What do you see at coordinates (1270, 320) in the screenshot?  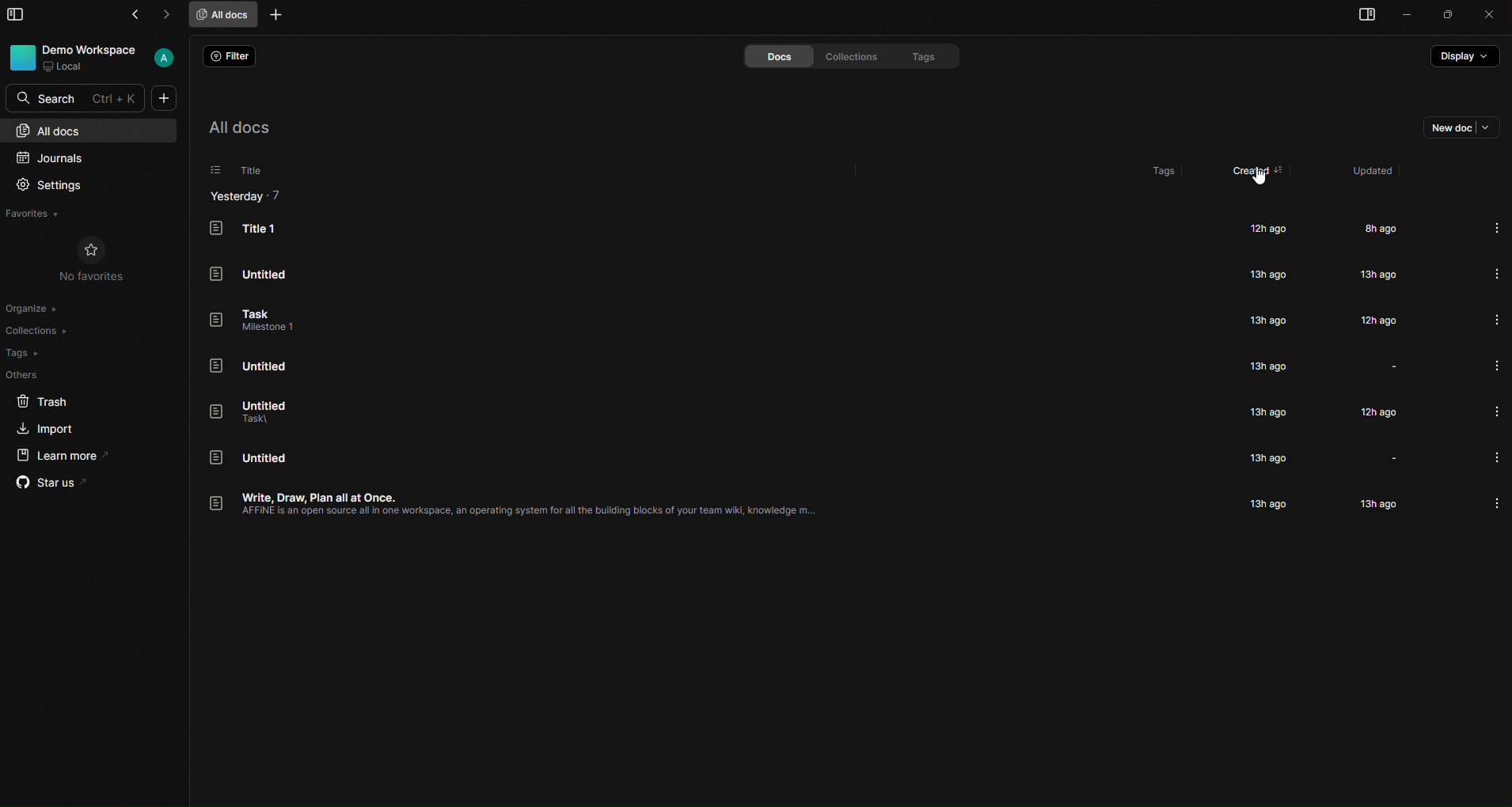 I see `13h ago` at bounding box center [1270, 320].